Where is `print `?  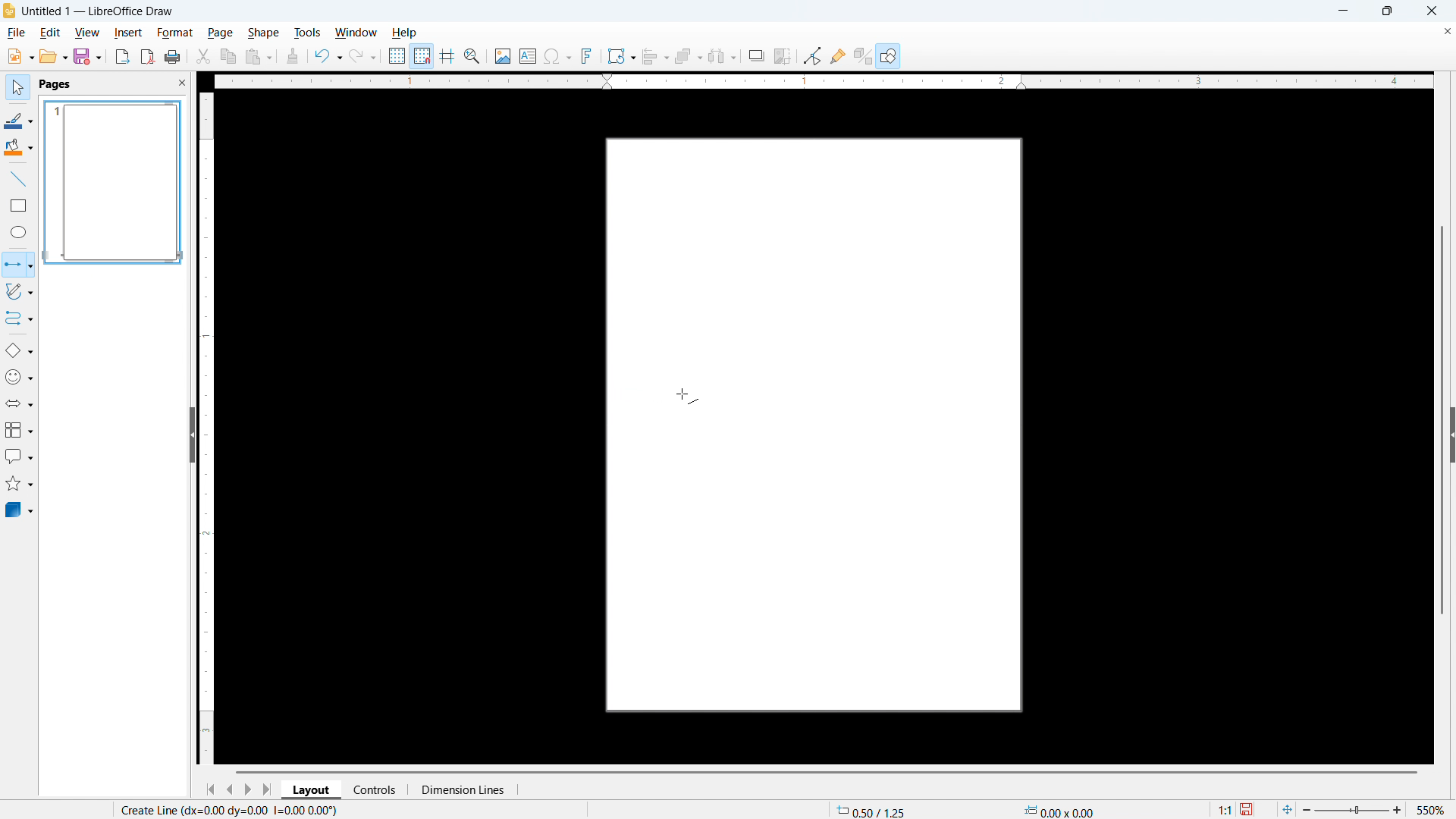
print  is located at coordinates (173, 56).